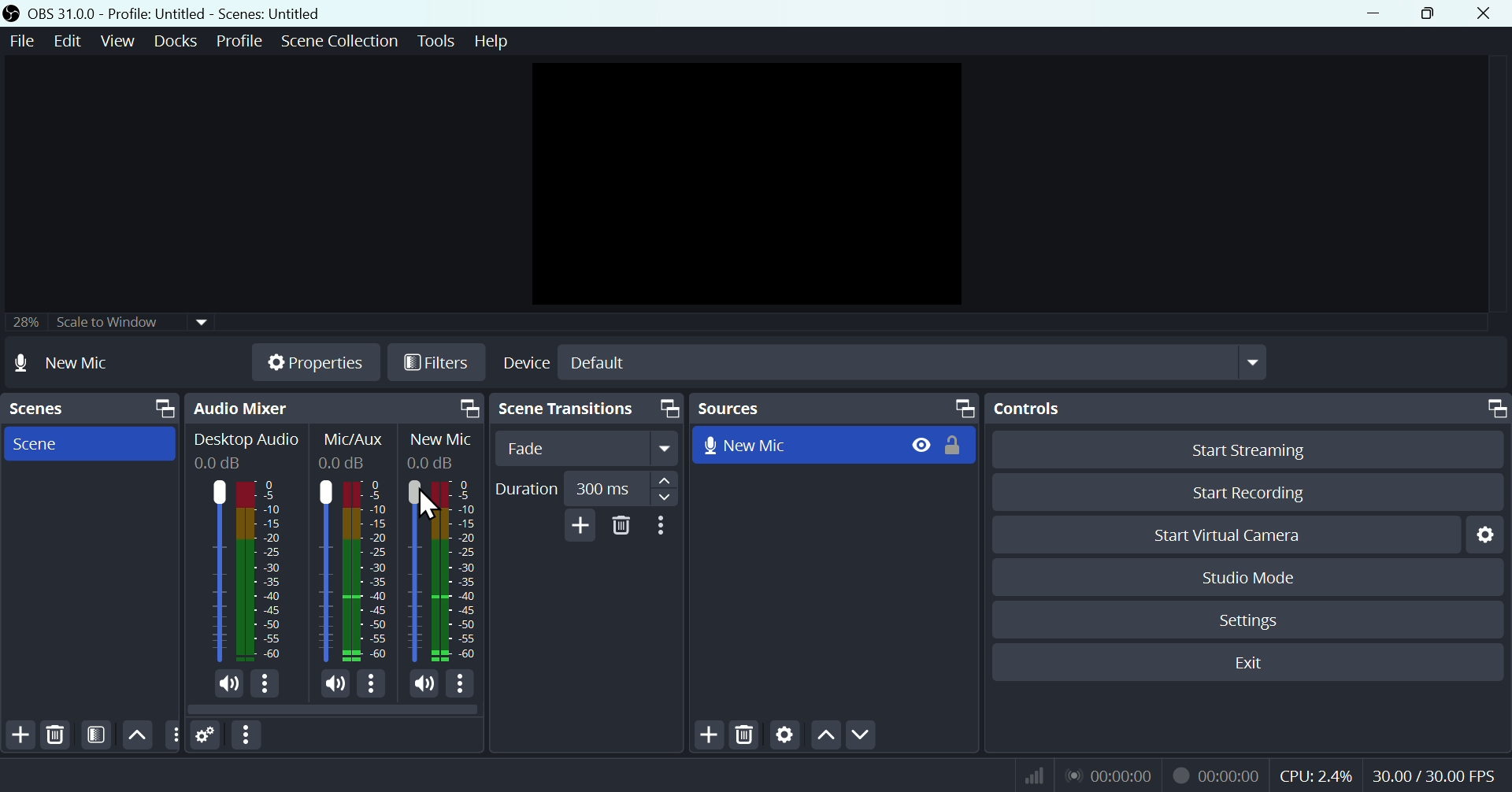 This screenshot has height=792, width=1512. What do you see at coordinates (584, 410) in the screenshot?
I see `Scene transitions` at bounding box center [584, 410].